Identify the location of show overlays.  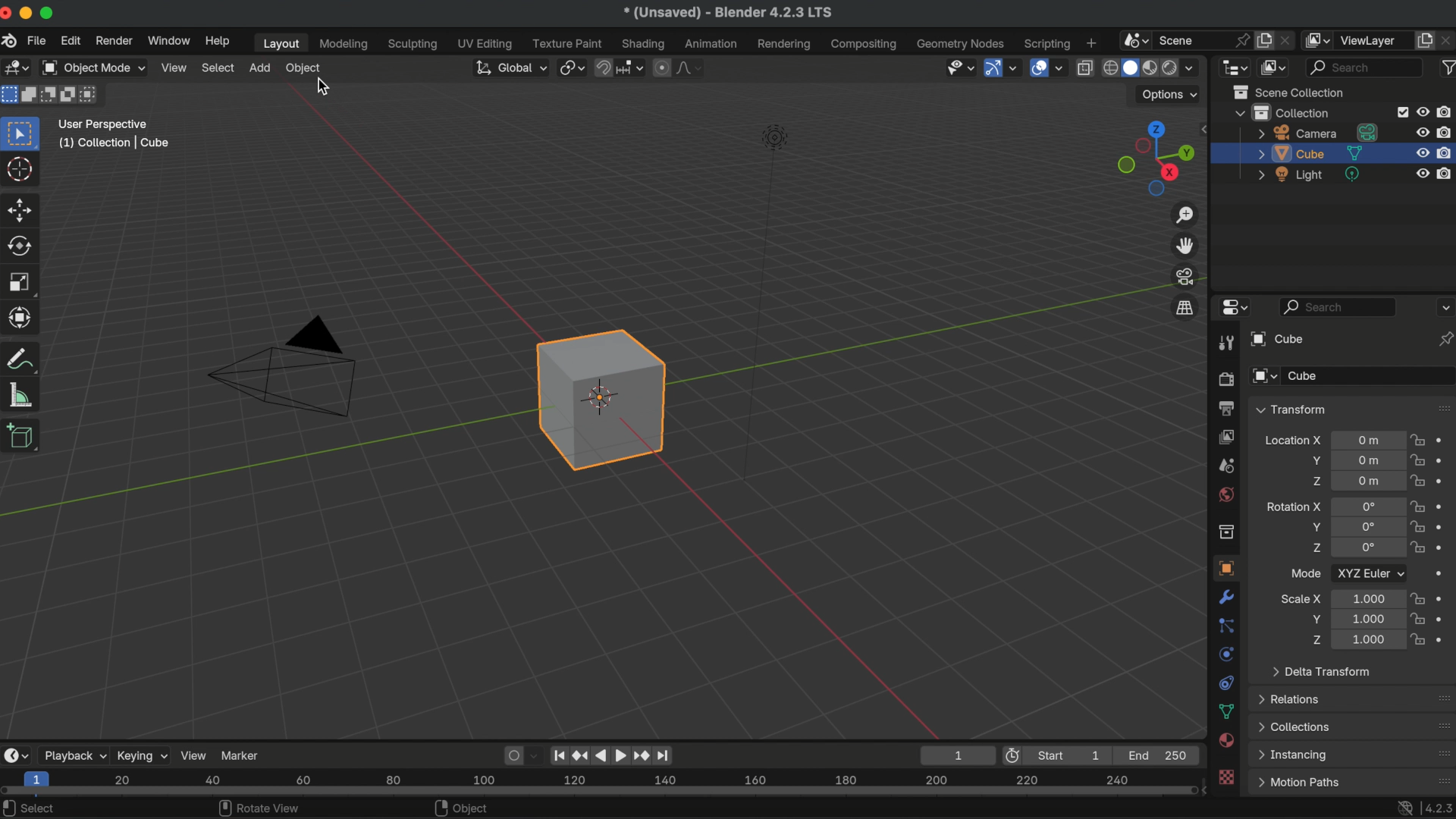
(1037, 67).